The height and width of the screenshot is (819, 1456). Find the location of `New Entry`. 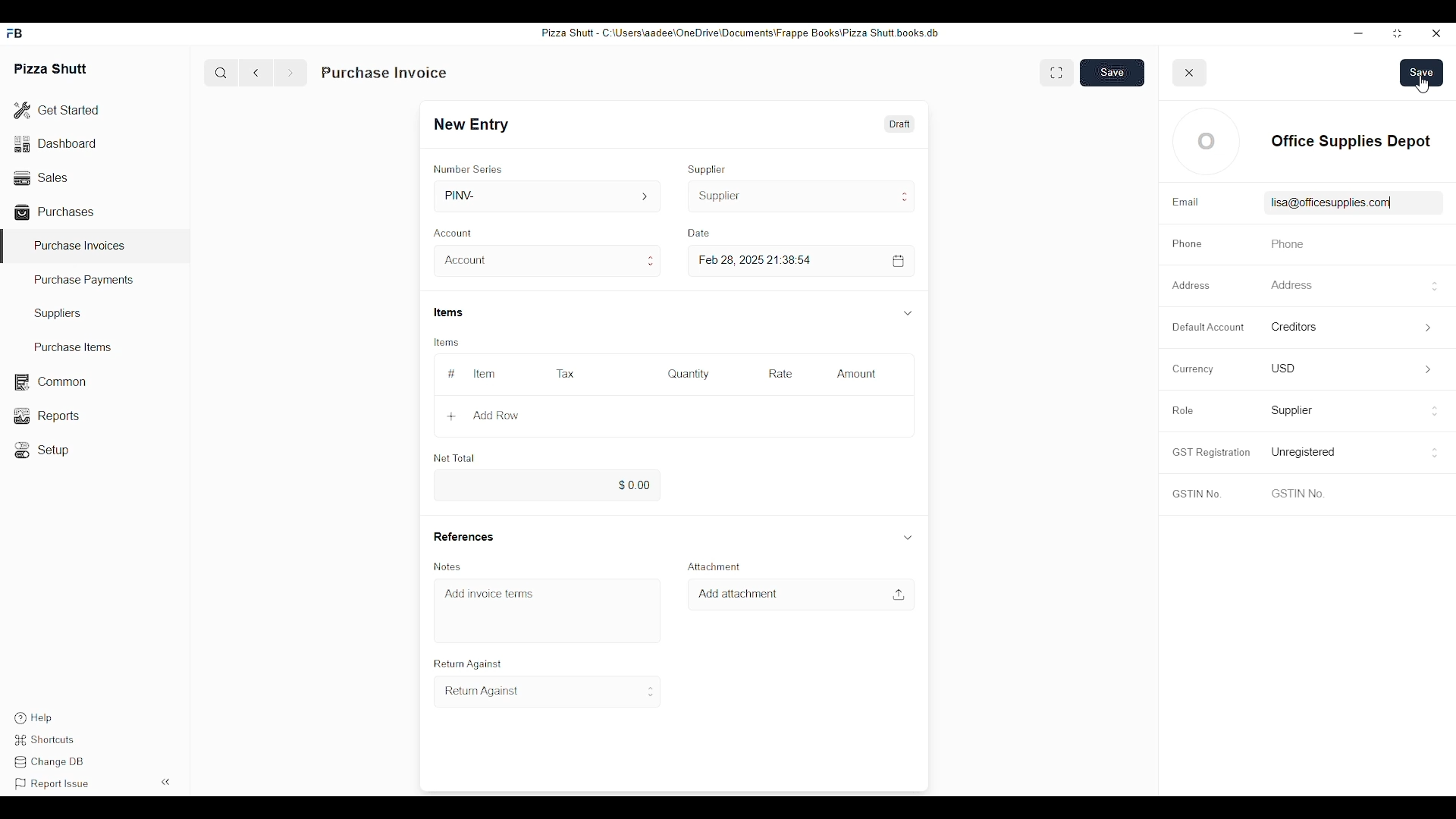

New Entry is located at coordinates (476, 124).